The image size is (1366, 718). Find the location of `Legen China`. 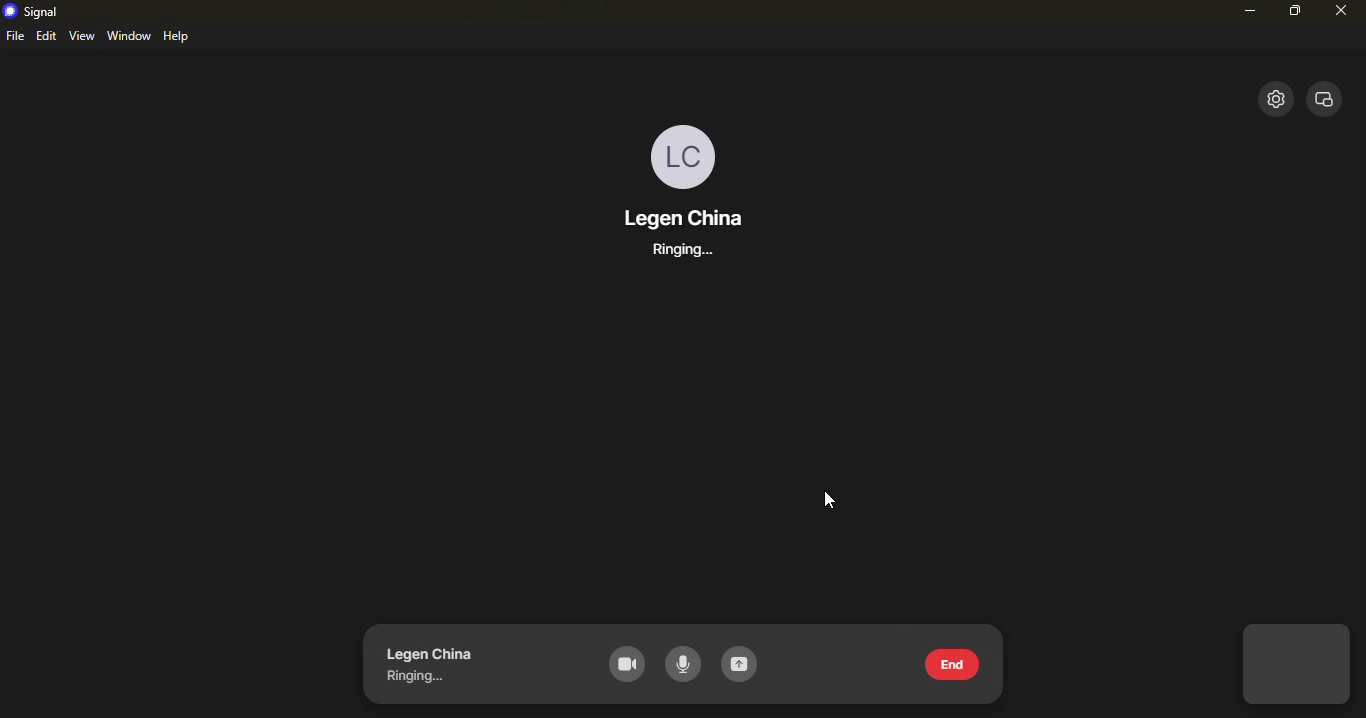

Legen China is located at coordinates (428, 654).